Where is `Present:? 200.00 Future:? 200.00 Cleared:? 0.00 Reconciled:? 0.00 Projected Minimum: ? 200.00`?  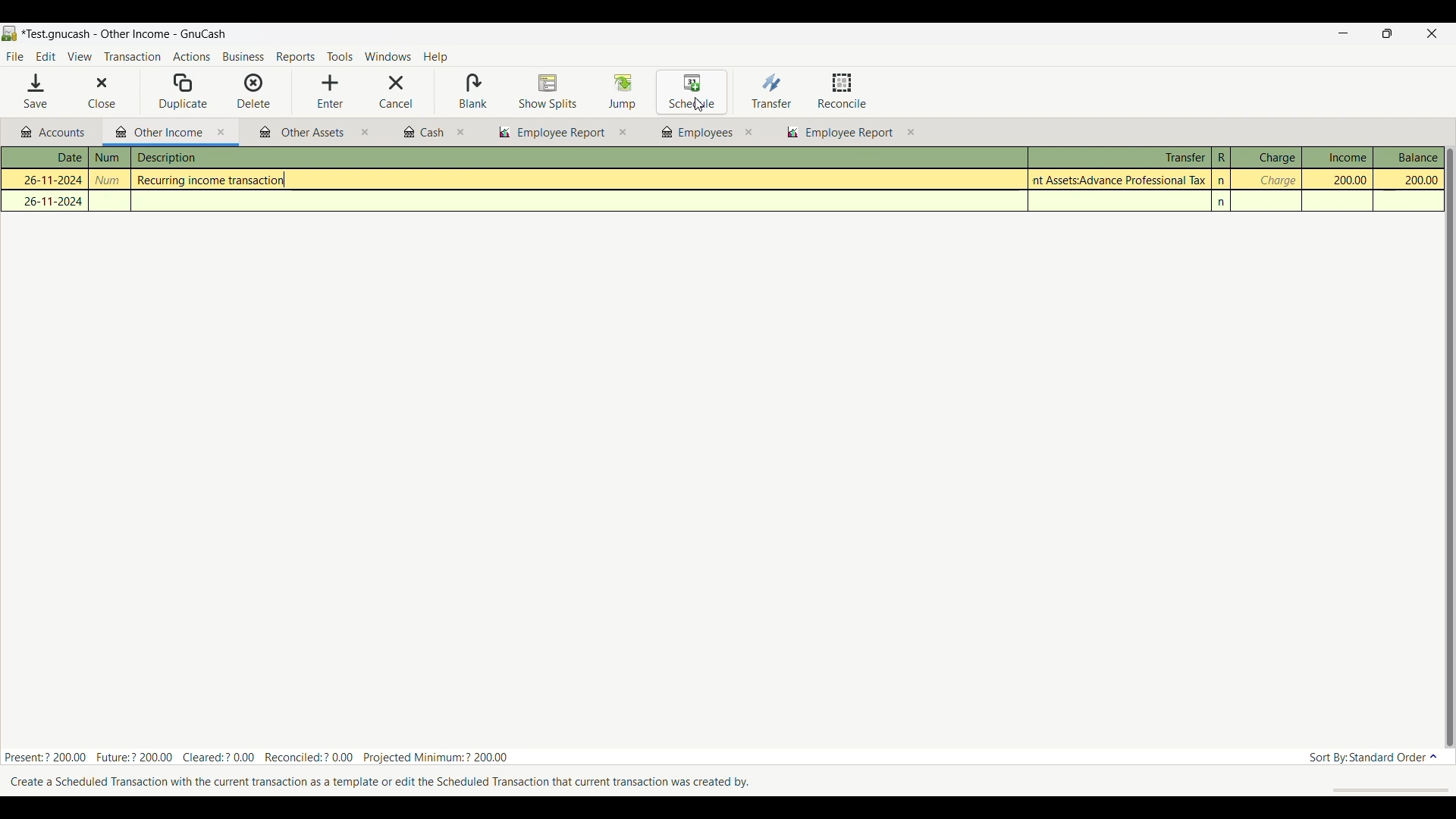
Present:? 200.00 Future:? 200.00 Cleared:? 0.00 Reconciled:? 0.00 Projected Minimum: ? 200.00 is located at coordinates (258, 755).